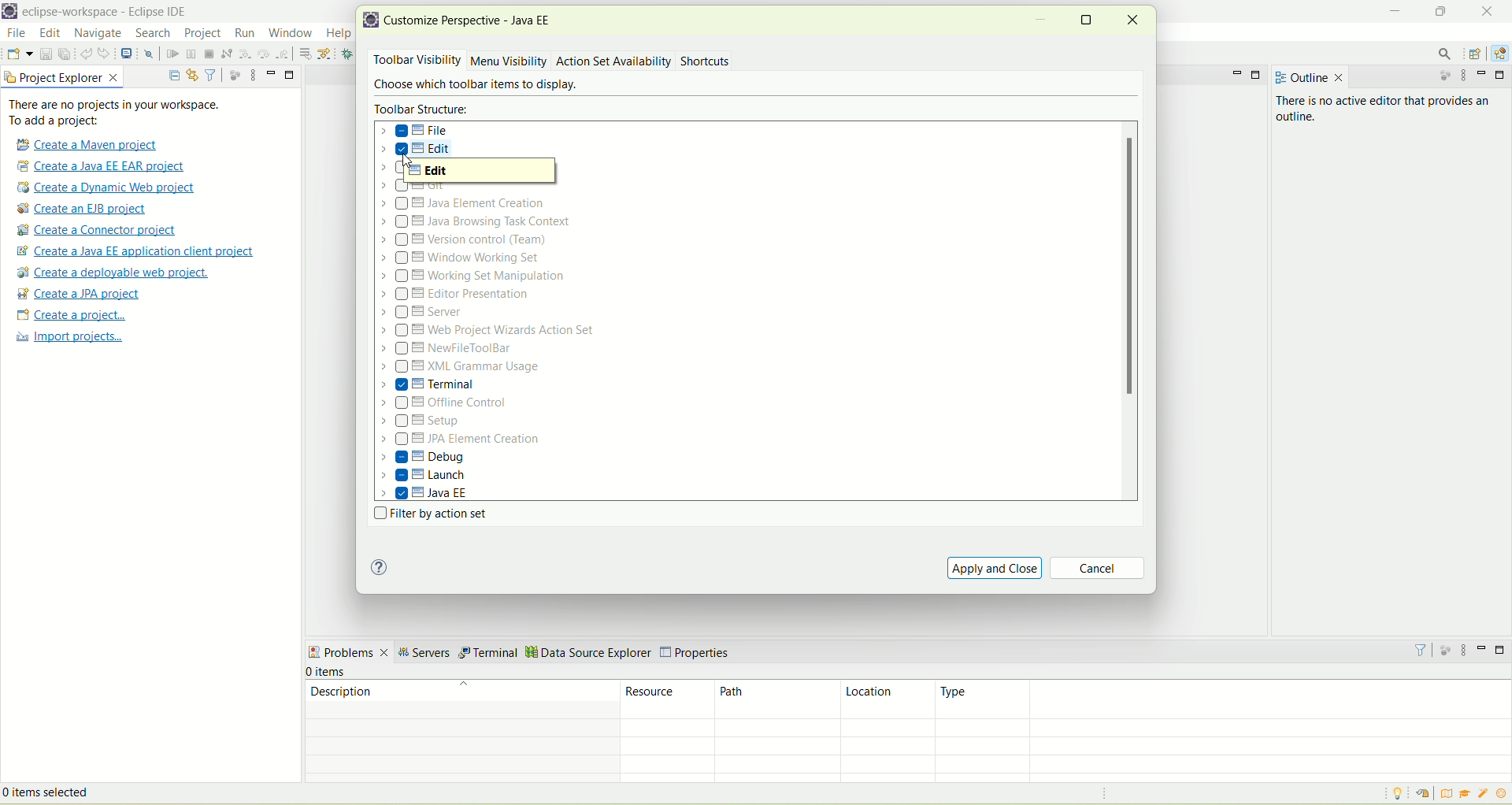 This screenshot has width=1512, height=805. Describe the element at coordinates (1429, 795) in the screenshot. I see `restore welcome` at that location.